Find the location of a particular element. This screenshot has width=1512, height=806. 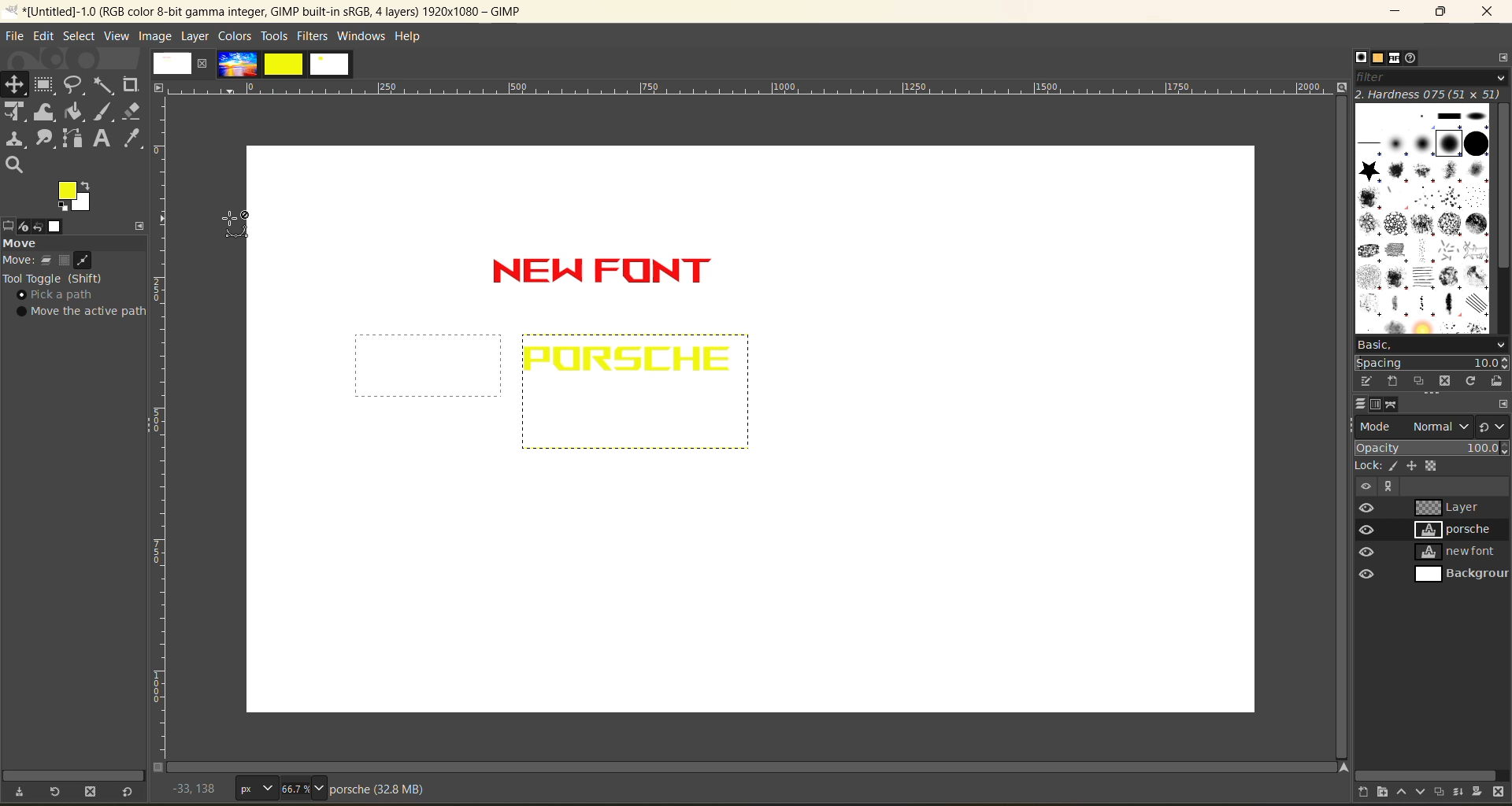

channels is located at coordinates (1378, 406).